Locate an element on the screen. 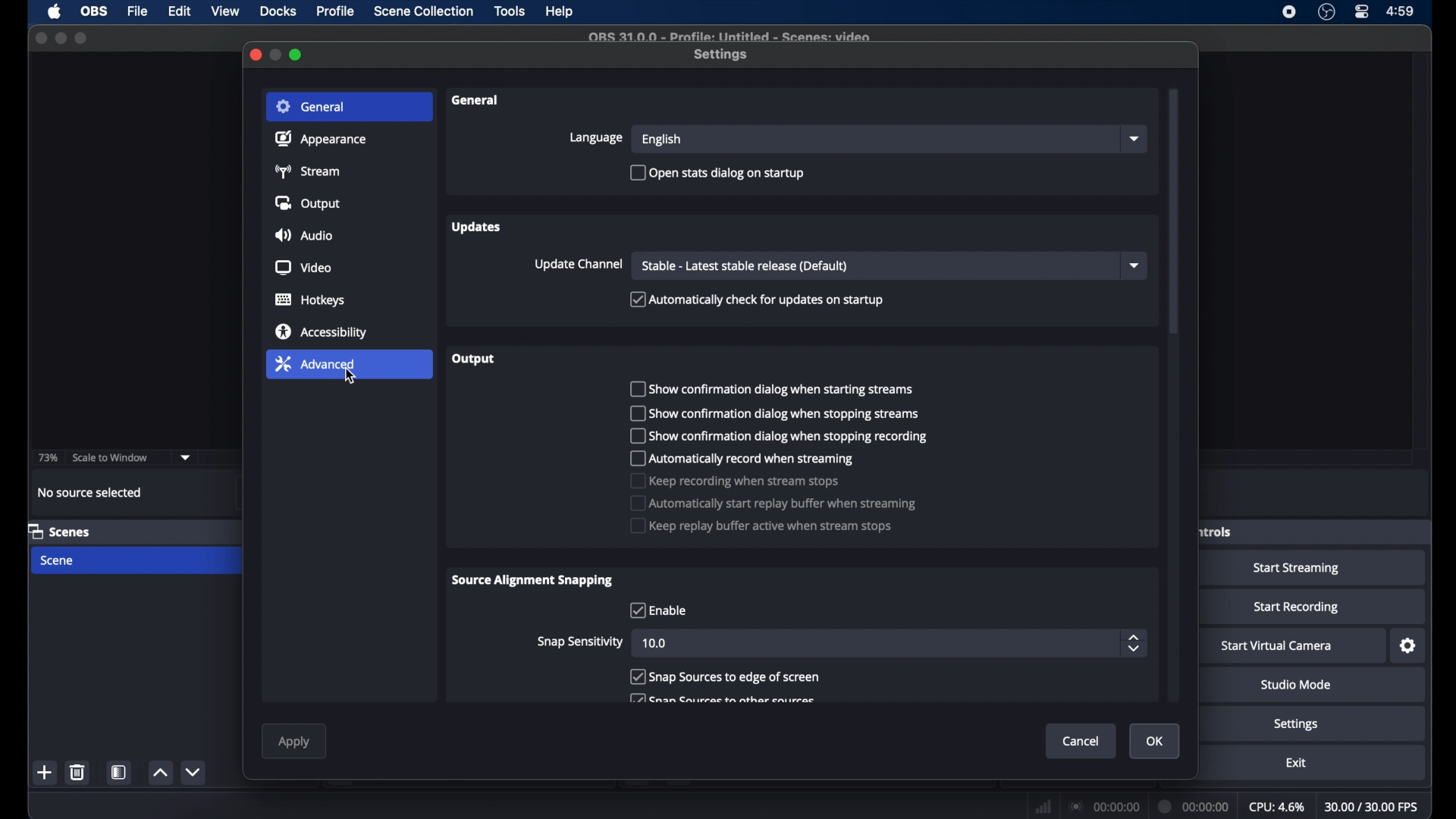 This screenshot has height=819, width=1456. start streaming is located at coordinates (1297, 570).